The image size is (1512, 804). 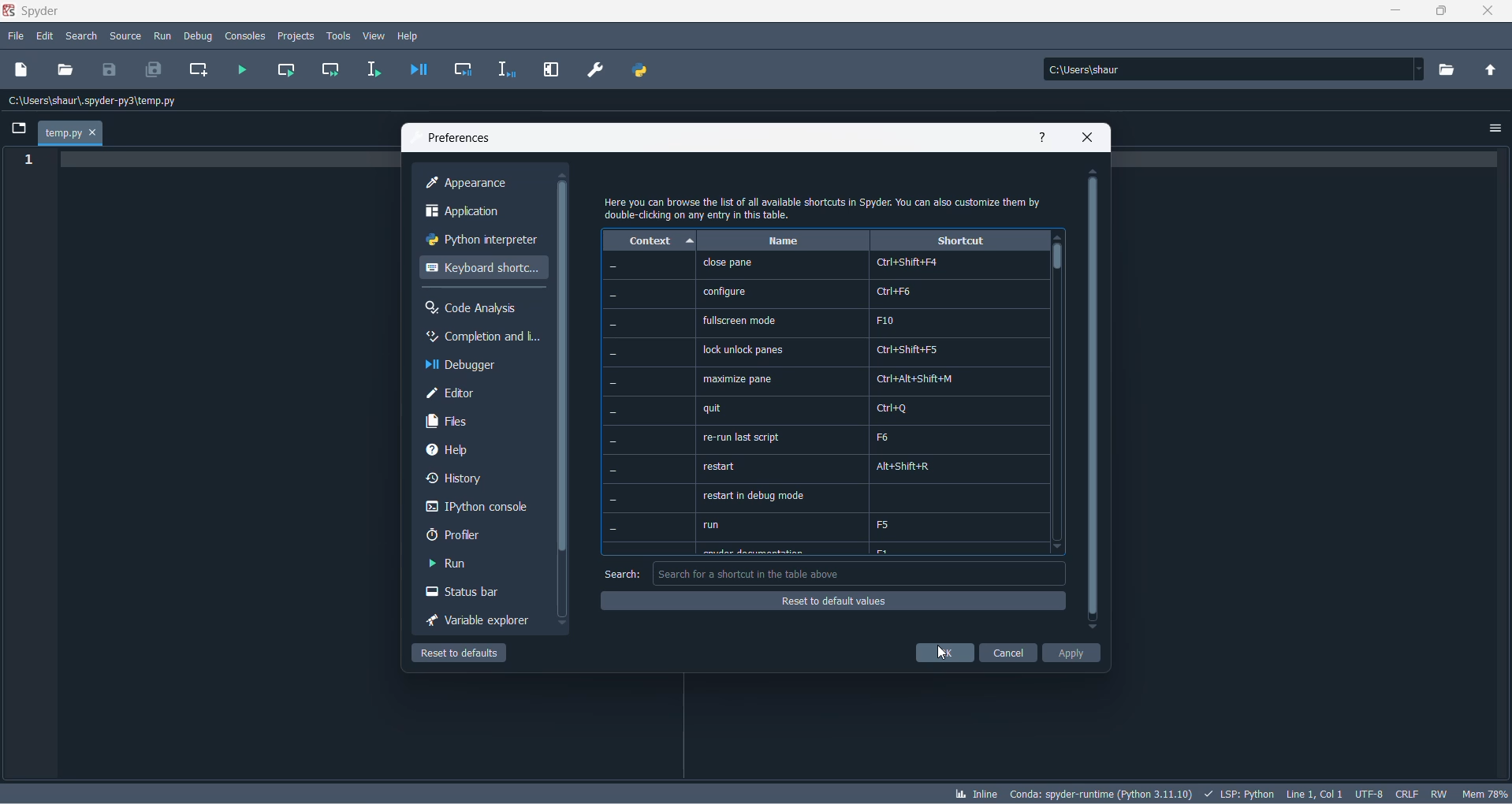 What do you see at coordinates (1424, 69) in the screenshot?
I see `path dropdown` at bounding box center [1424, 69].